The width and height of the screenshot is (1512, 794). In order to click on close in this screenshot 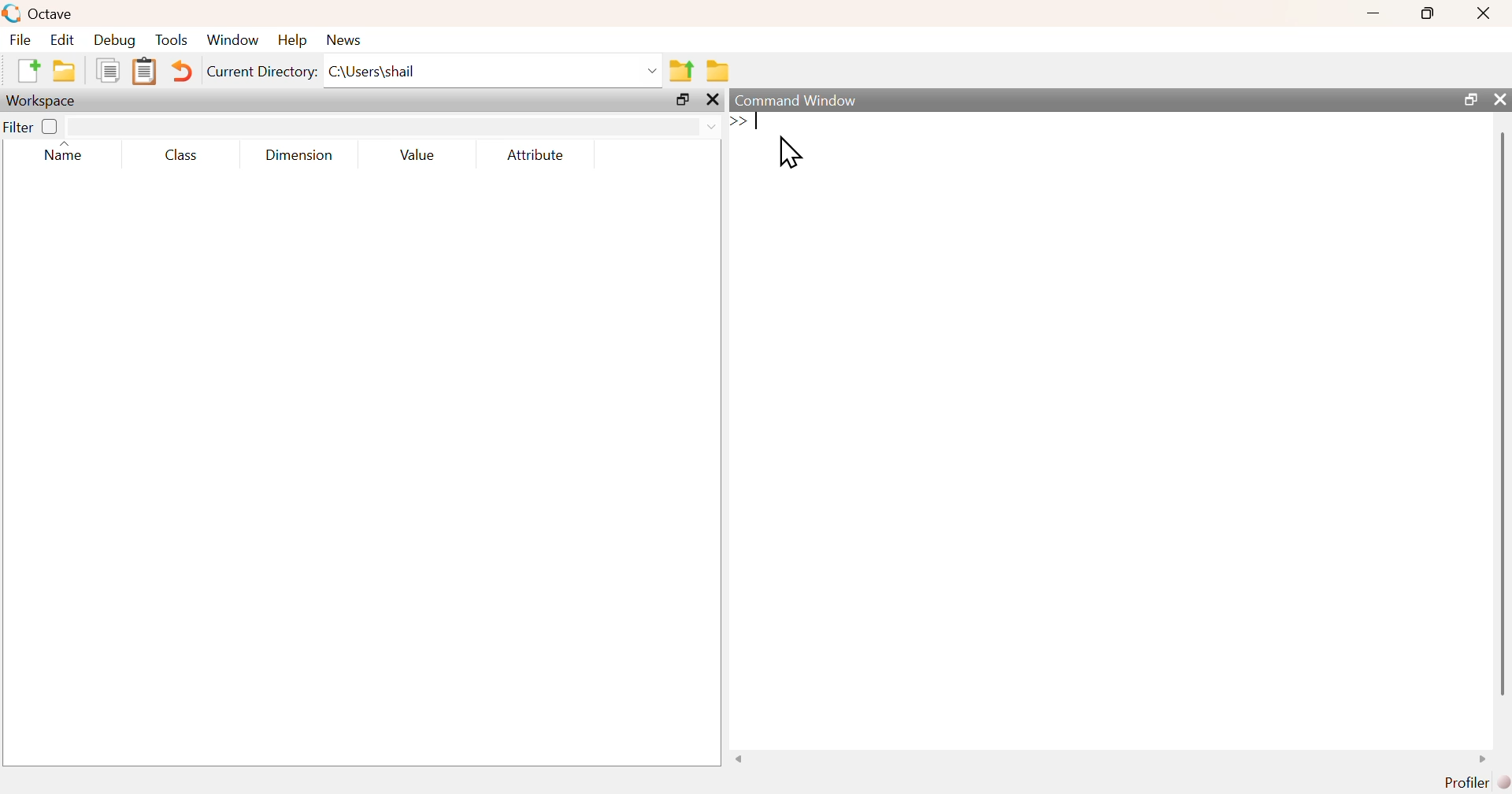, I will do `click(1498, 98)`.